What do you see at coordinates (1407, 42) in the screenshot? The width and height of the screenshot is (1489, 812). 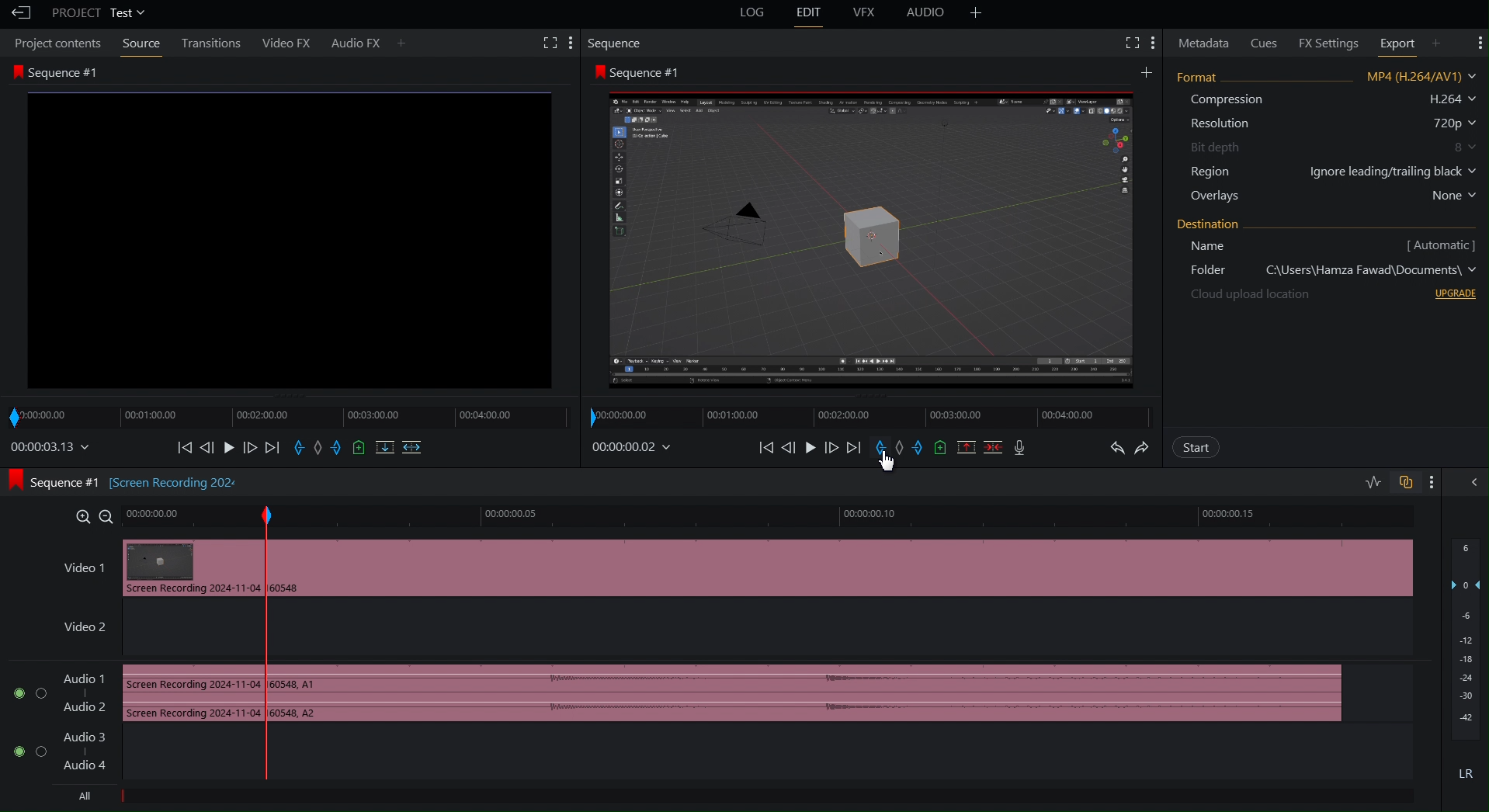 I see `Export` at bounding box center [1407, 42].